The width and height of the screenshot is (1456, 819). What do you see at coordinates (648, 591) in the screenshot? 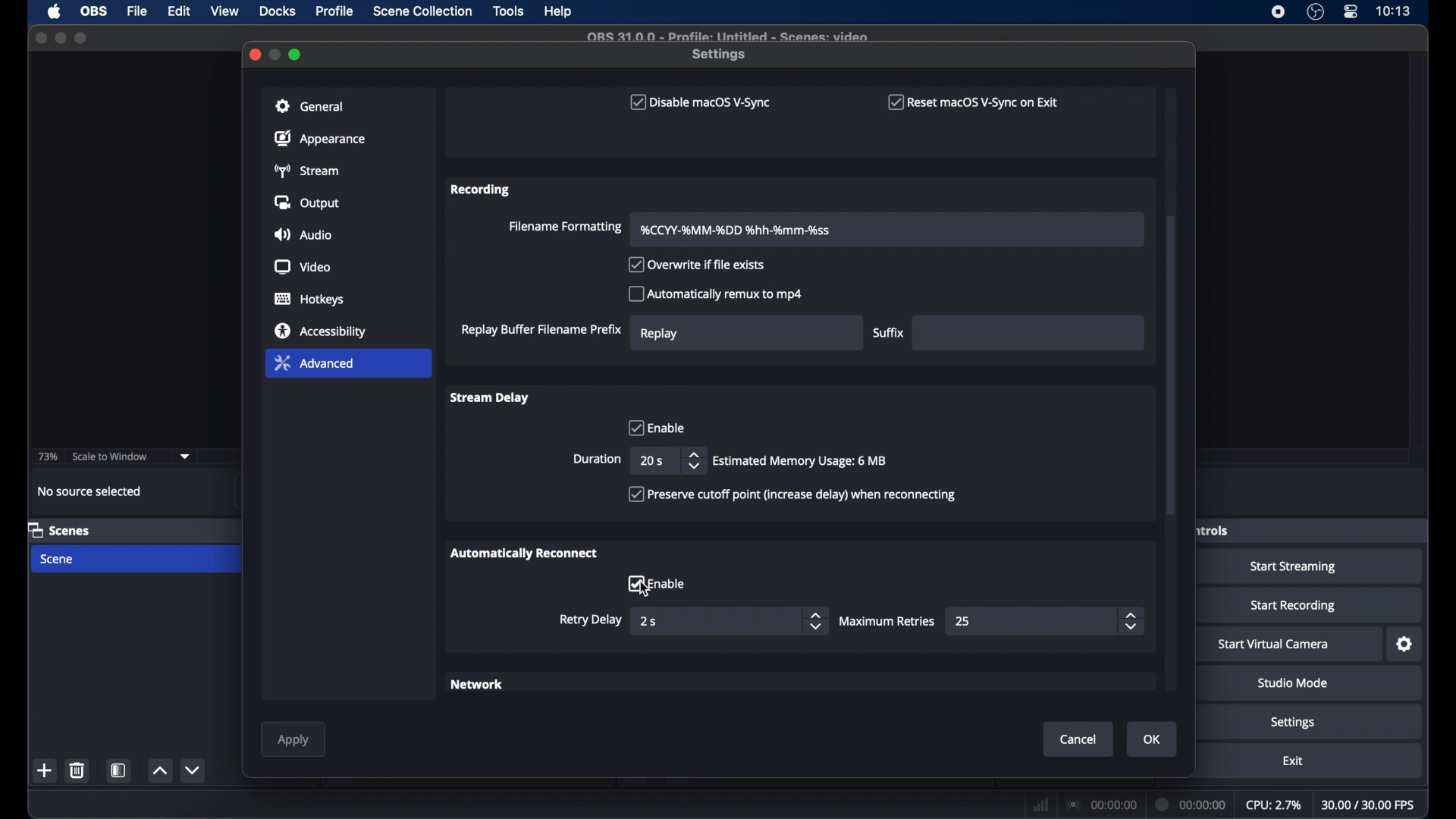
I see `cursor` at bounding box center [648, 591].